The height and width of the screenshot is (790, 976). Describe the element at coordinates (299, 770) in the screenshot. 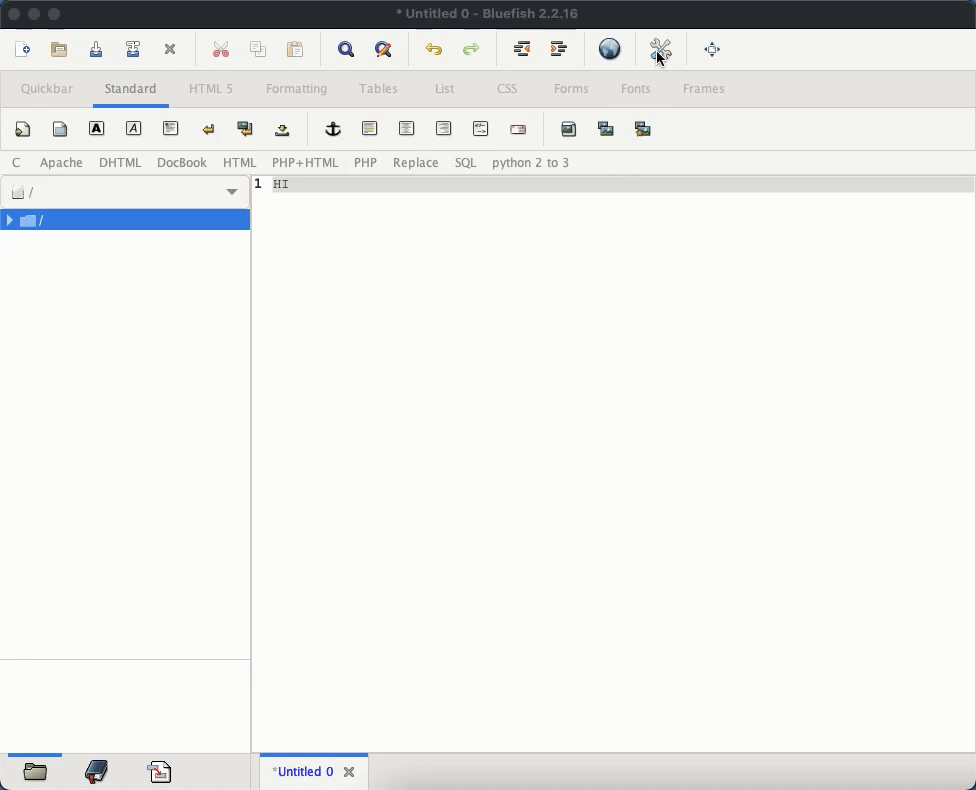

I see `untitled 0` at that location.